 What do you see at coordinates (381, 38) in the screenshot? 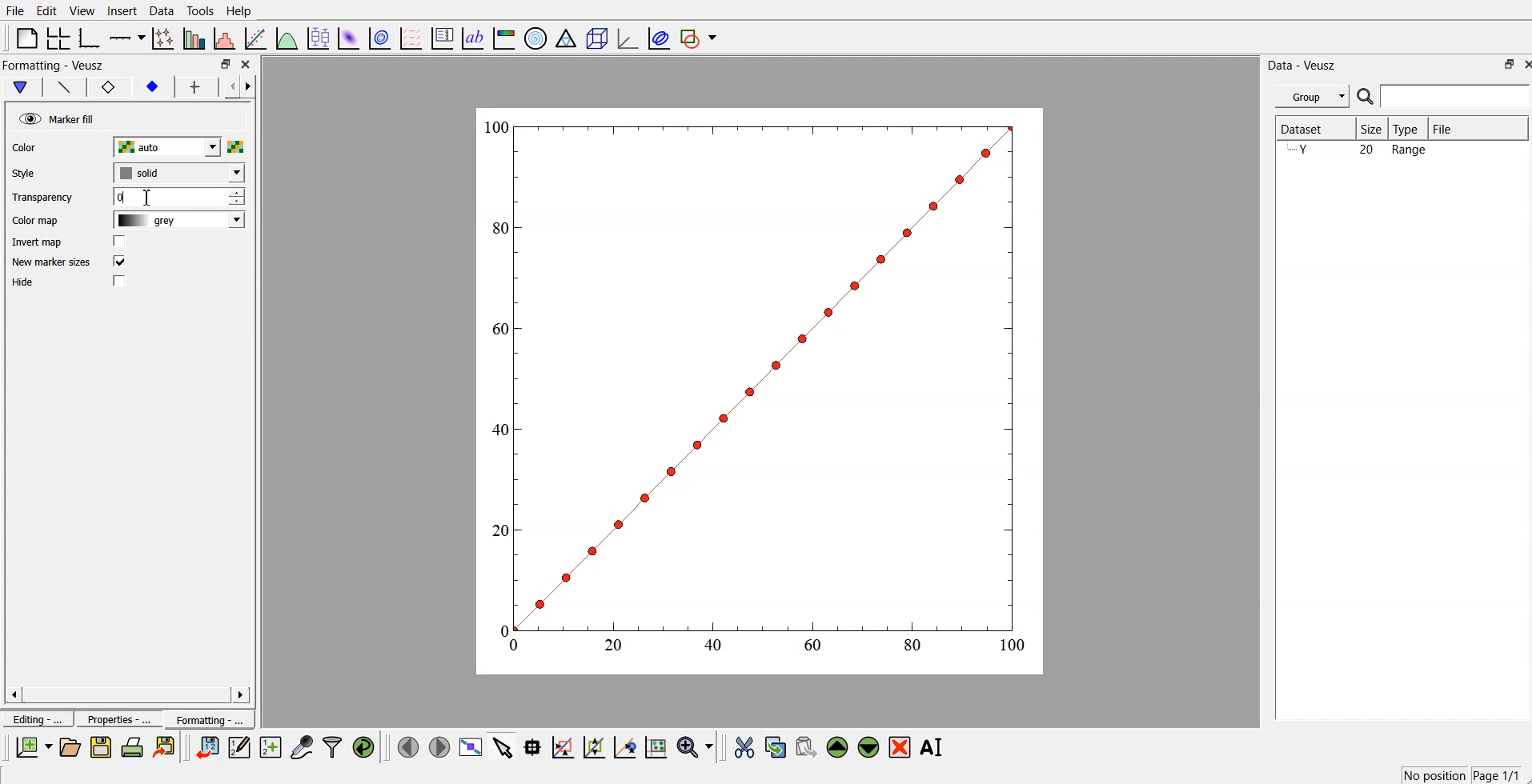
I see `plot a 2D dataset as cont` at bounding box center [381, 38].